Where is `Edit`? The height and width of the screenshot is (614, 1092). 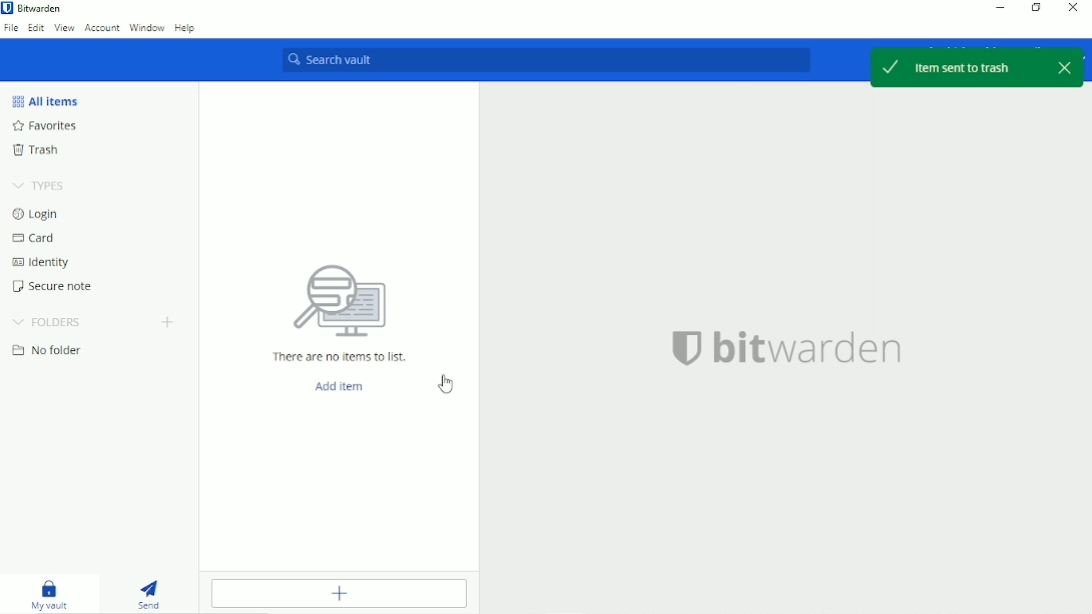 Edit is located at coordinates (36, 28).